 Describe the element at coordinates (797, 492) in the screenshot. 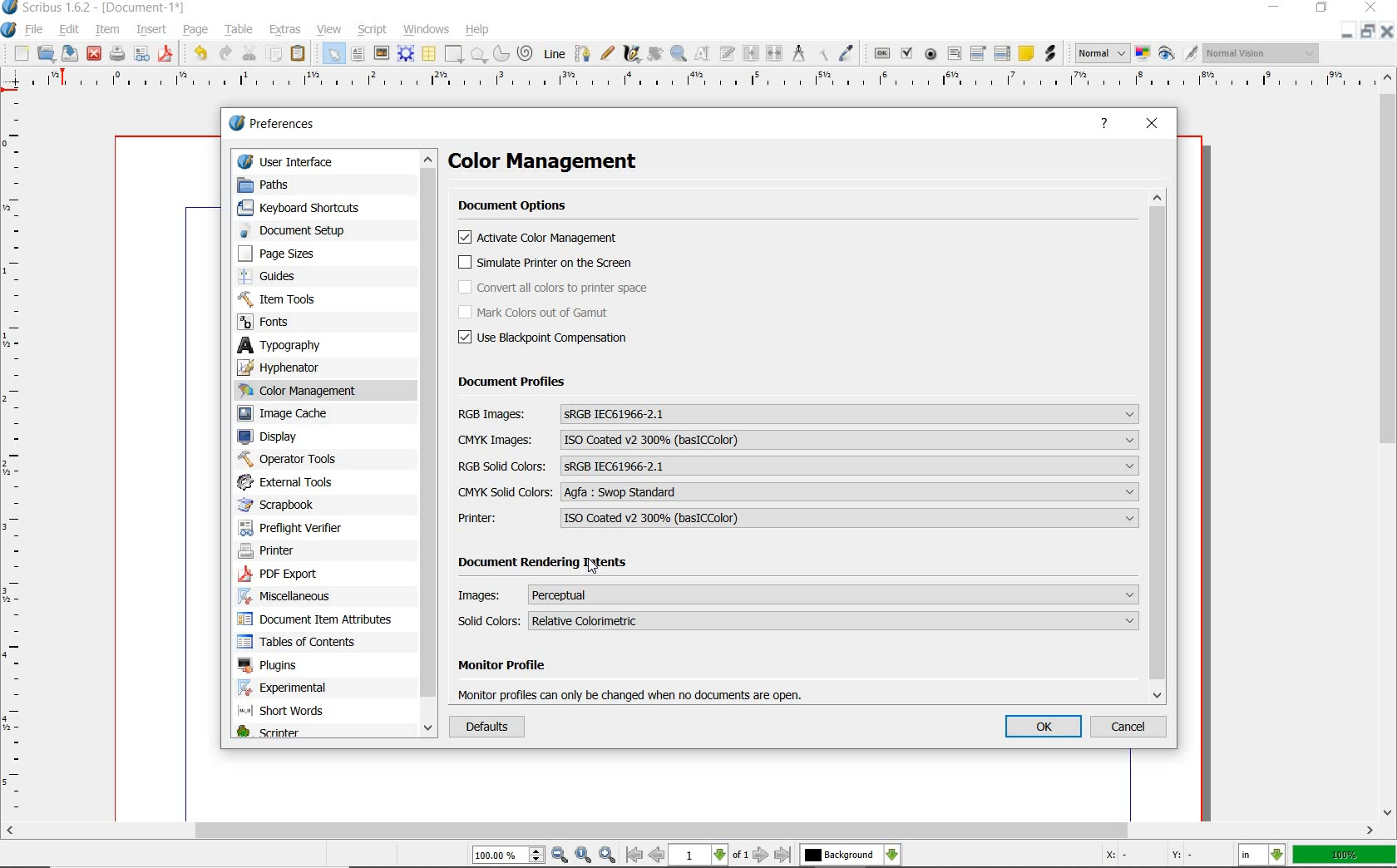

I see `CMYK SOLID COLORS` at that location.